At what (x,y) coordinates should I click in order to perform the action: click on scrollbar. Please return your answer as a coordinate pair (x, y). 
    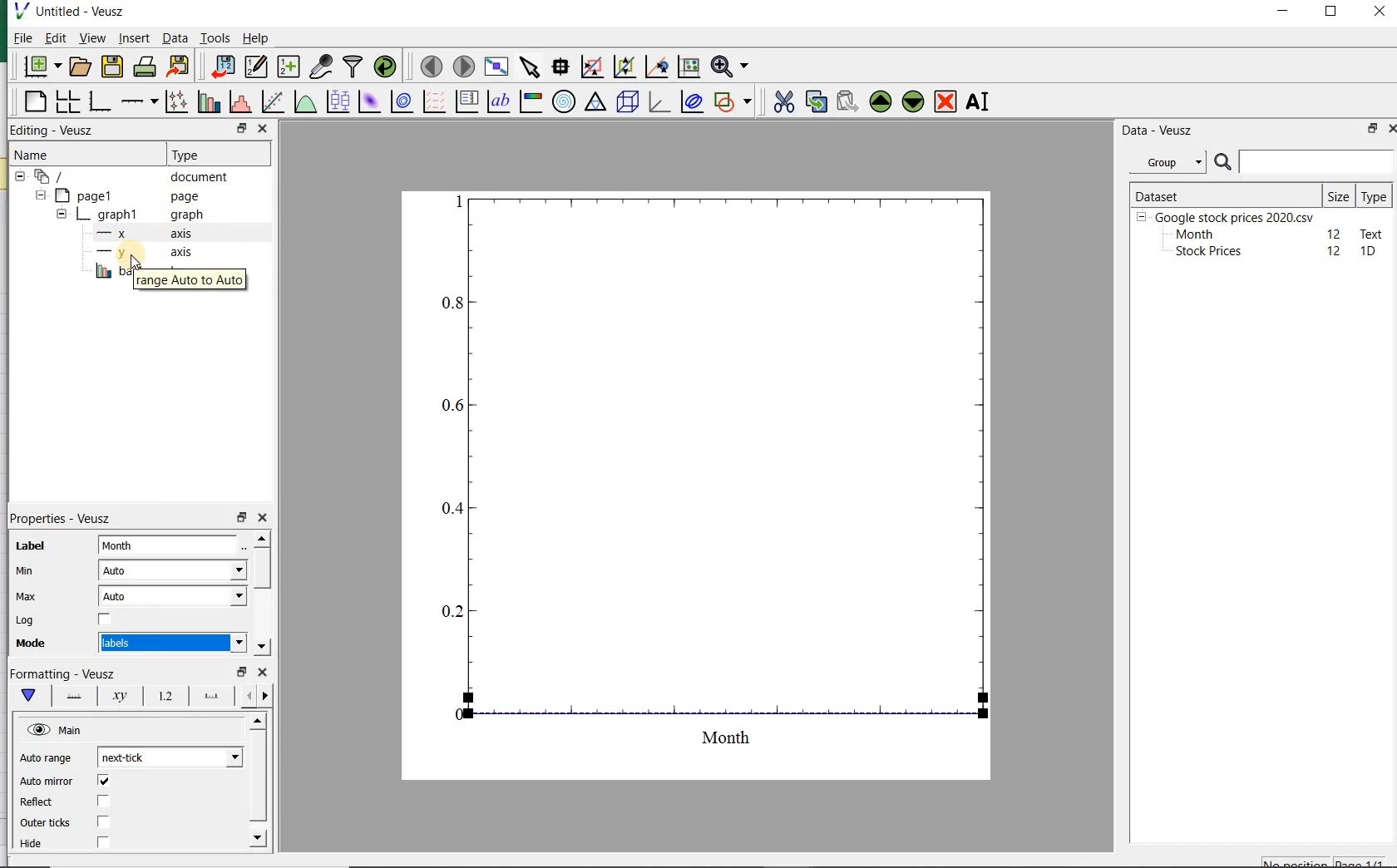
    Looking at the image, I should click on (261, 594).